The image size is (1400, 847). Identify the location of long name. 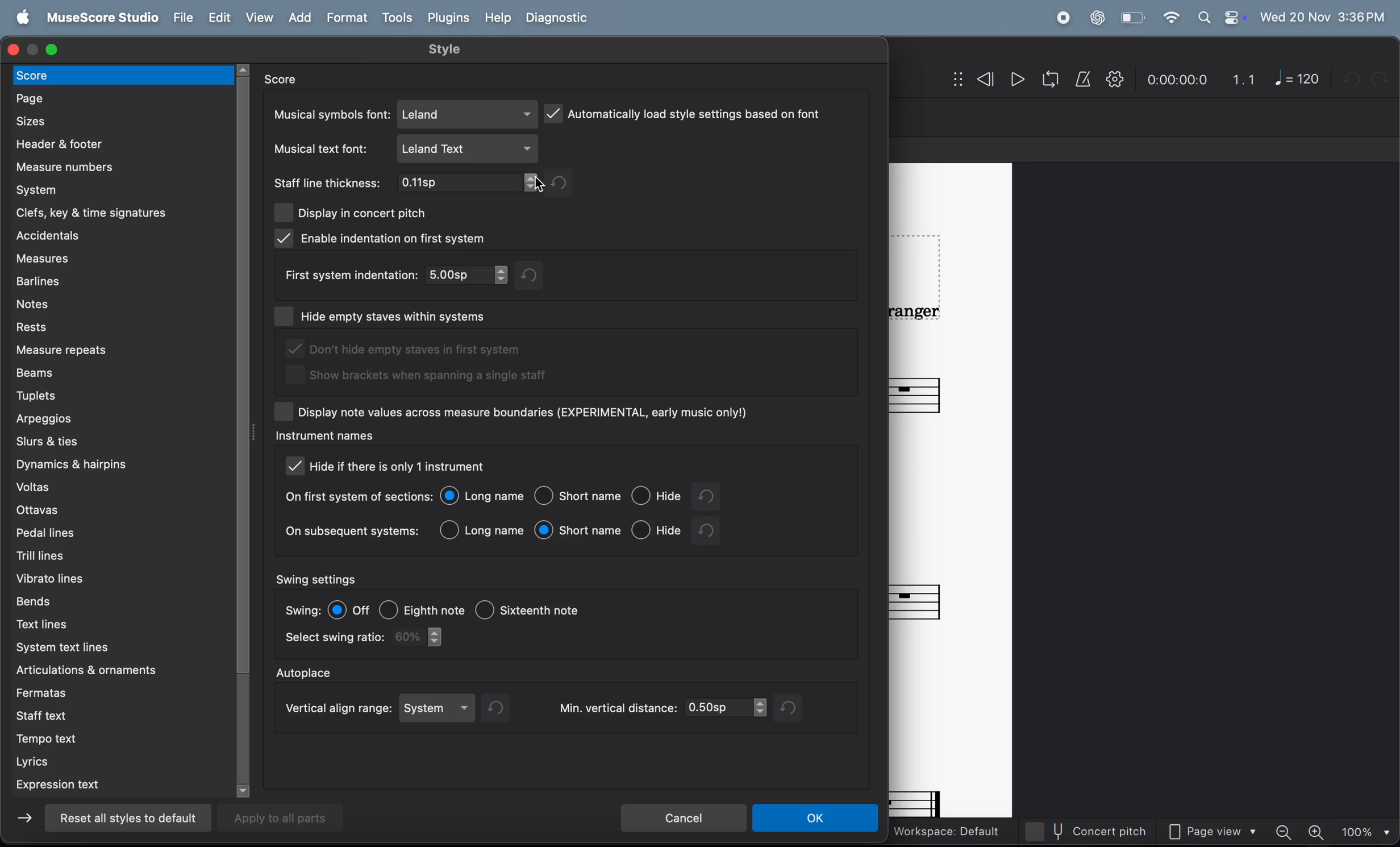
(484, 529).